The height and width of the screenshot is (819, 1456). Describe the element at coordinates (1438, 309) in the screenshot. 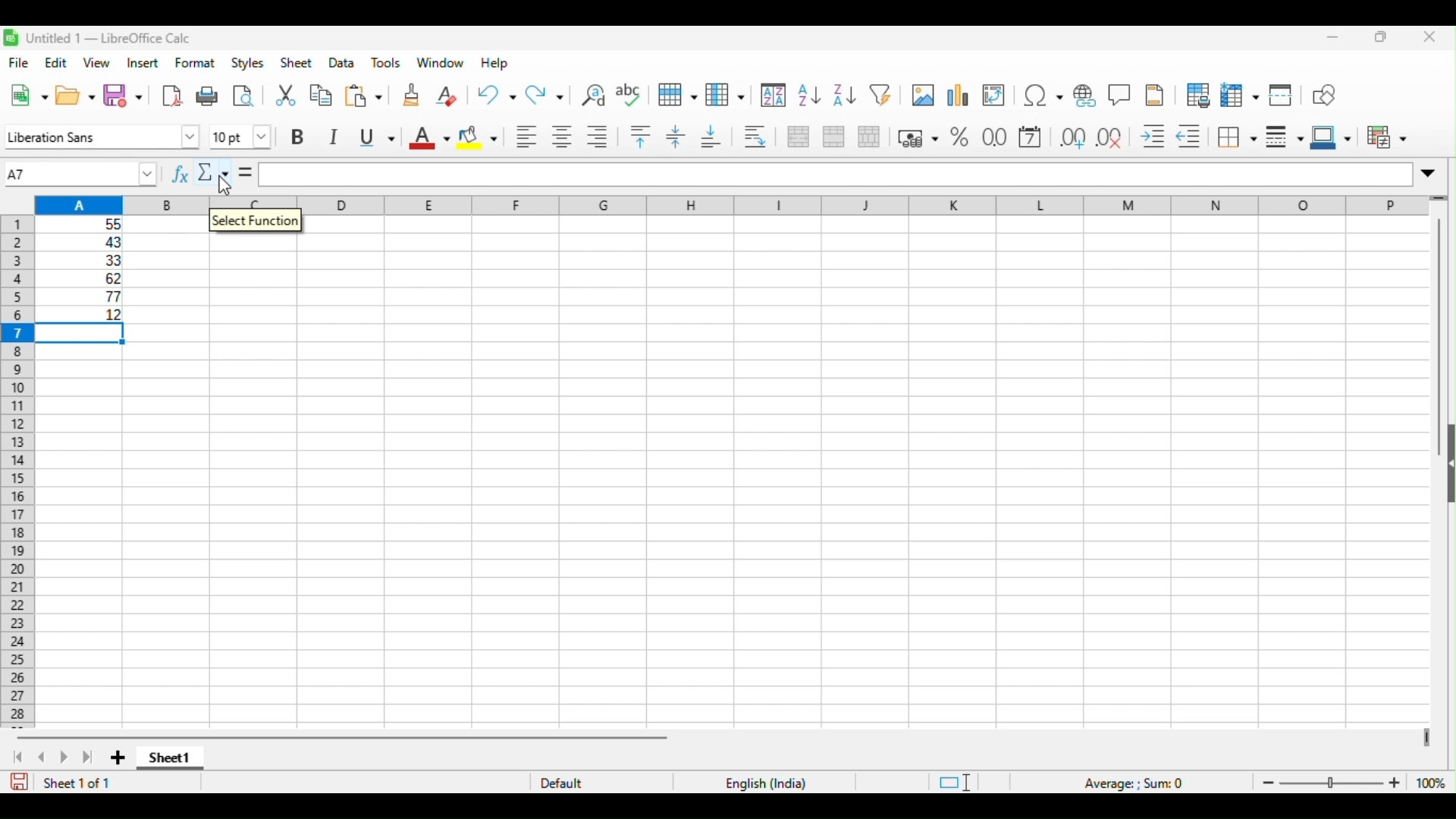

I see `vertical scroll bar` at that location.